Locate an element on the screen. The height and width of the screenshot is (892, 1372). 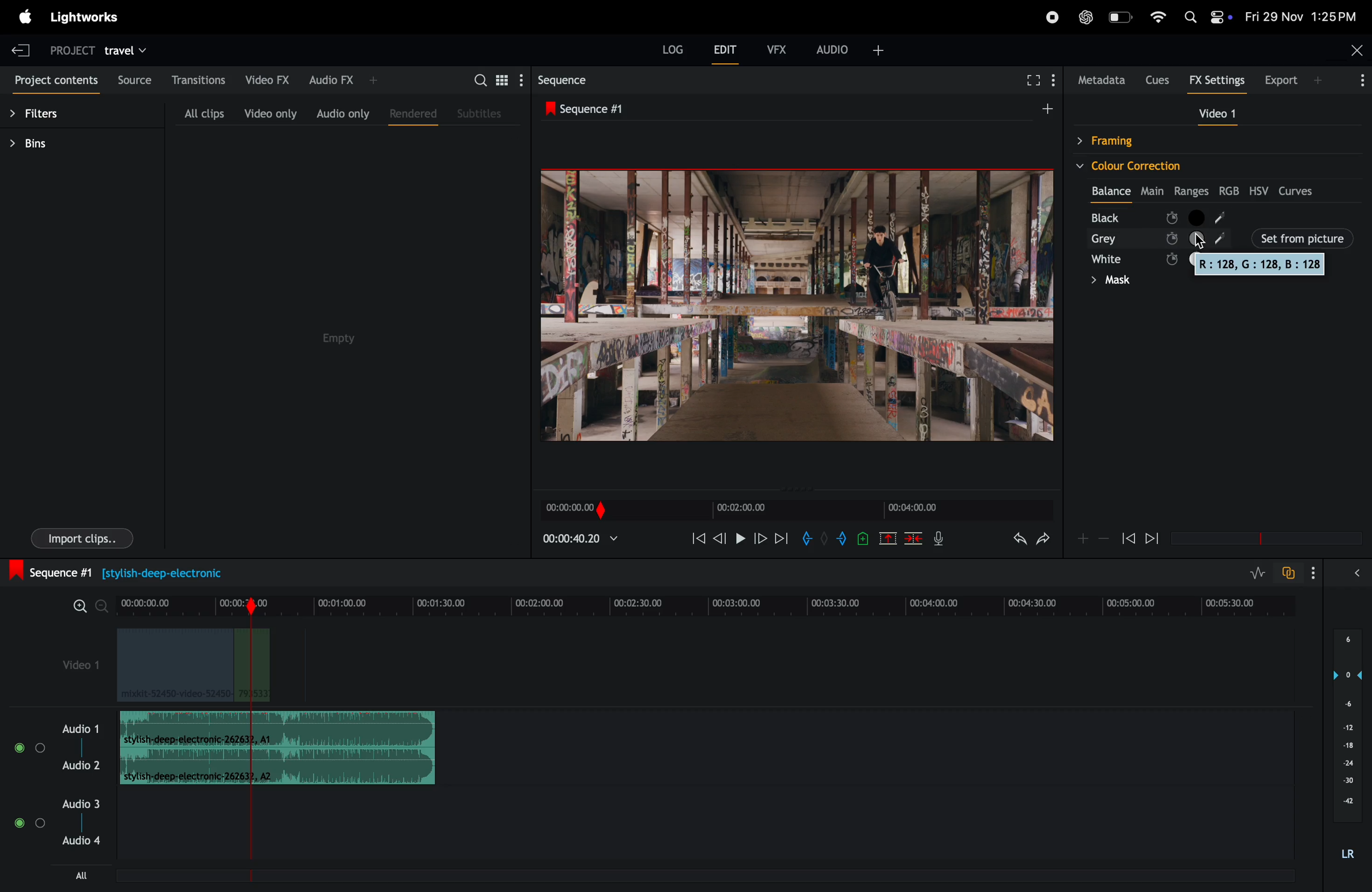
black node is located at coordinates (1261, 217).